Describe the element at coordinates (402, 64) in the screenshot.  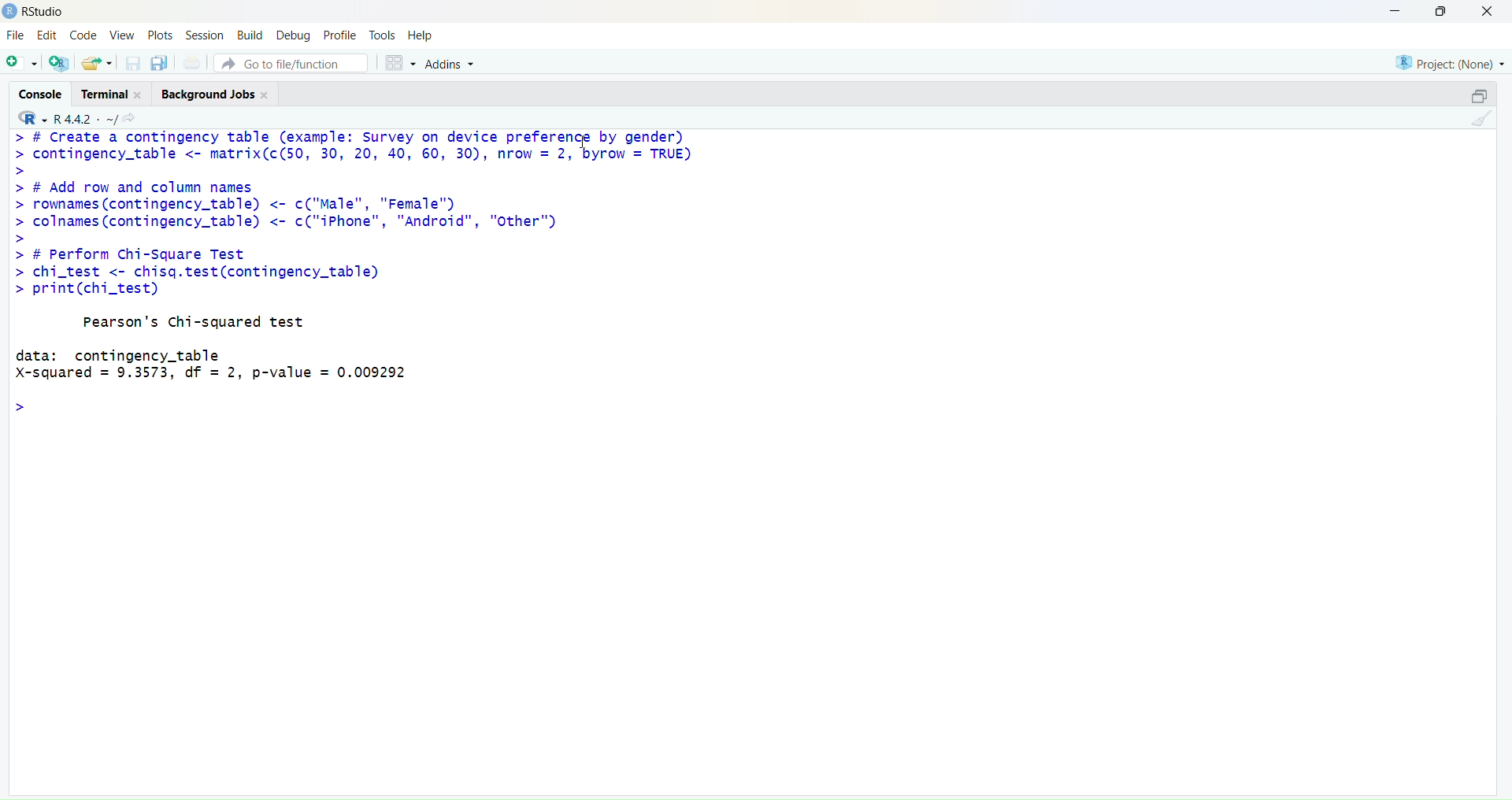
I see `grid` at that location.